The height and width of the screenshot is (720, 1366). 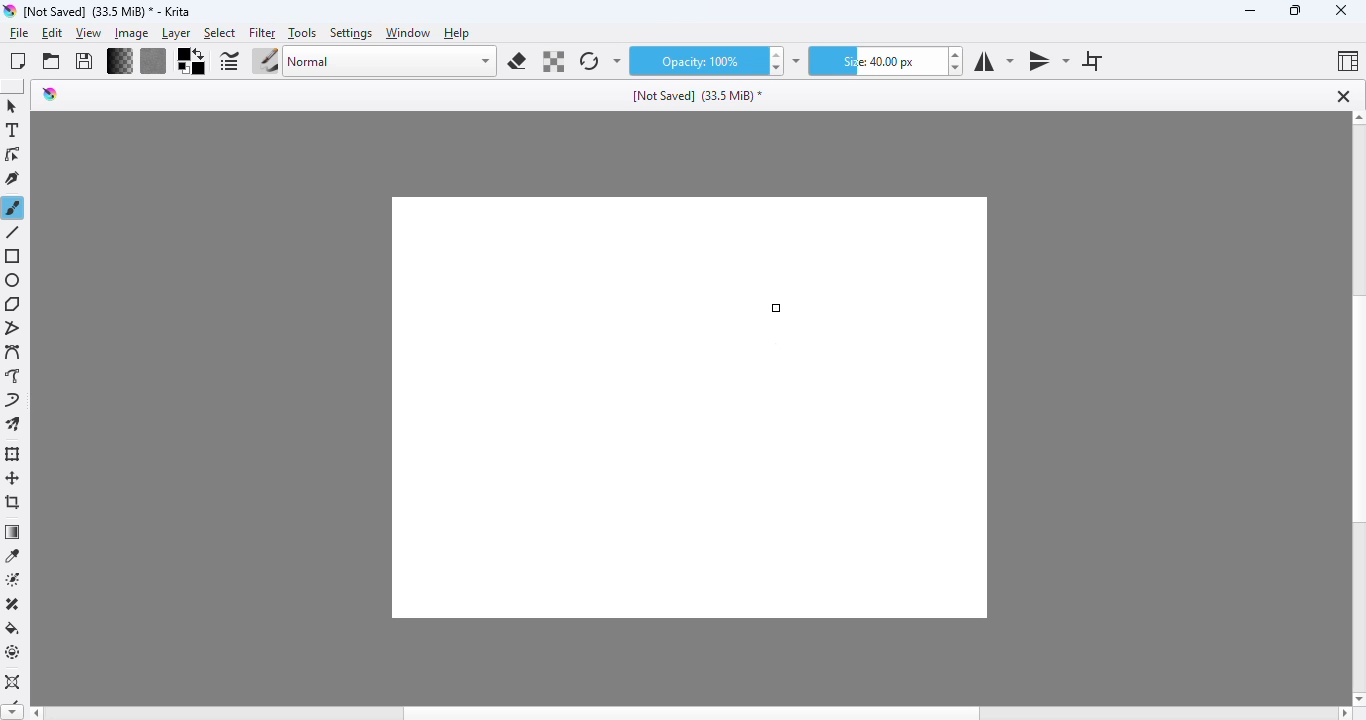 What do you see at coordinates (221, 33) in the screenshot?
I see `select` at bounding box center [221, 33].